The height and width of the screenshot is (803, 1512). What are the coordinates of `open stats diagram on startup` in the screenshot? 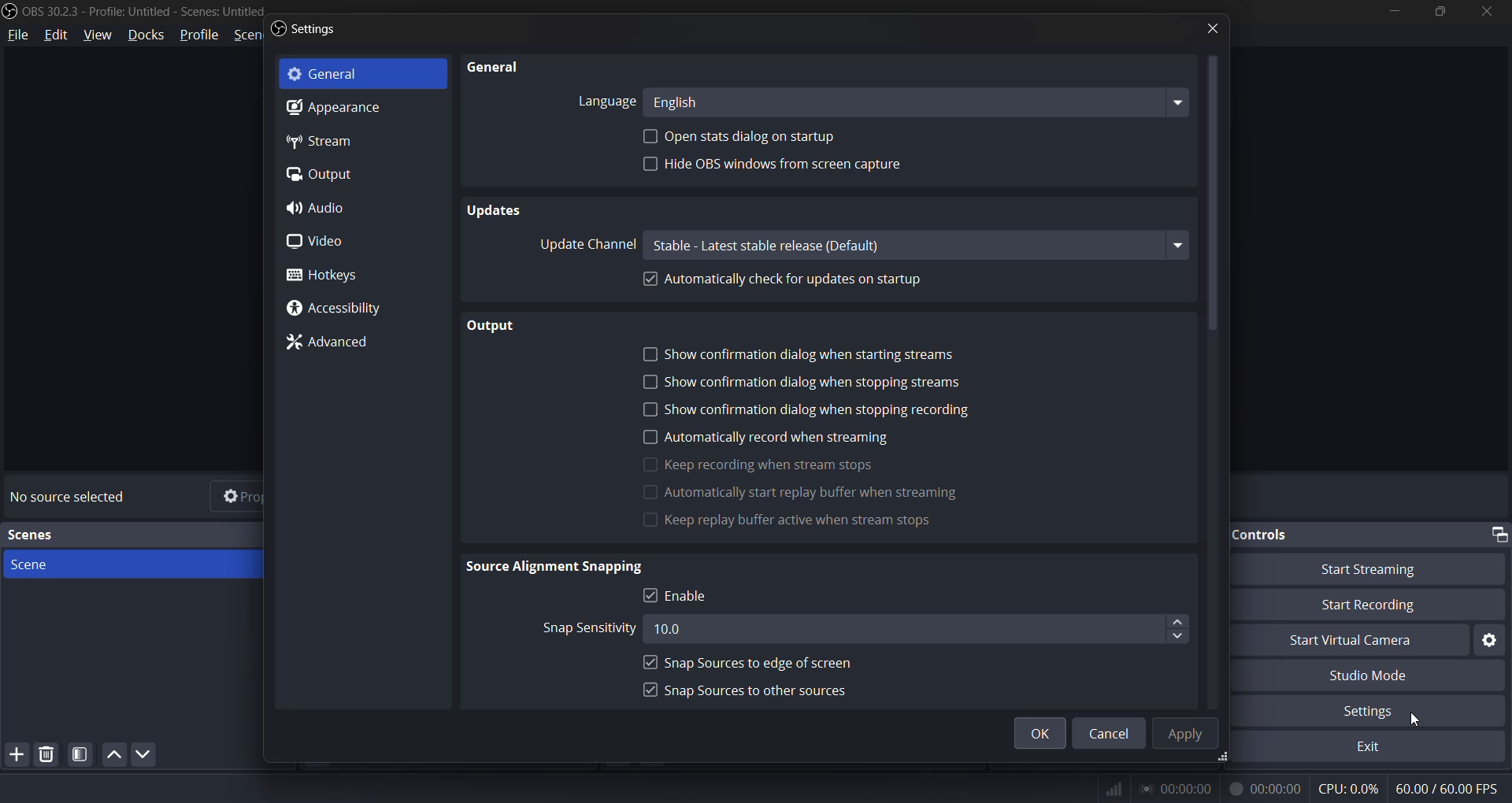 It's located at (755, 136).